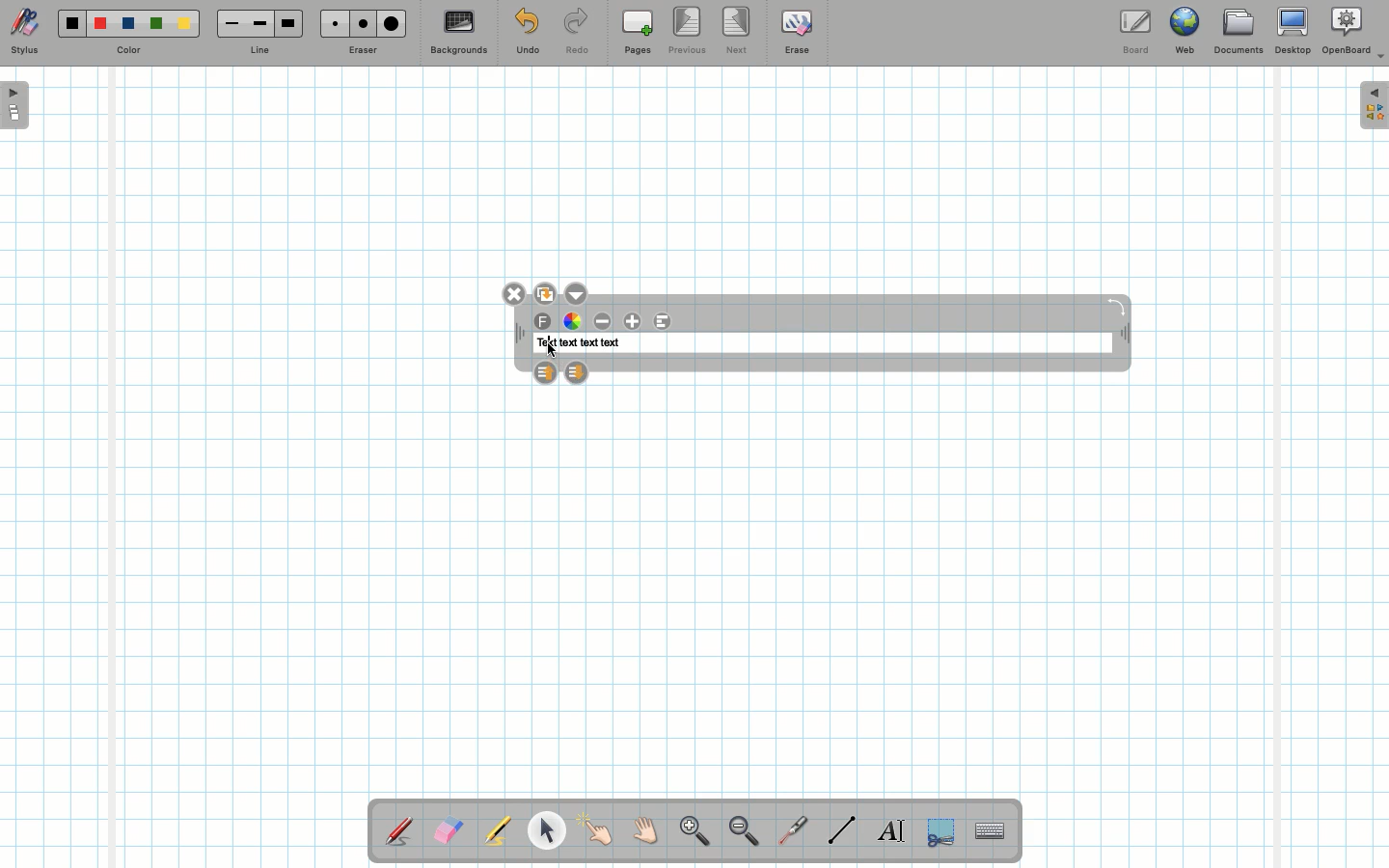 This screenshot has height=868, width=1389. What do you see at coordinates (544, 291) in the screenshot?
I see `Duplicate` at bounding box center [544, 291].